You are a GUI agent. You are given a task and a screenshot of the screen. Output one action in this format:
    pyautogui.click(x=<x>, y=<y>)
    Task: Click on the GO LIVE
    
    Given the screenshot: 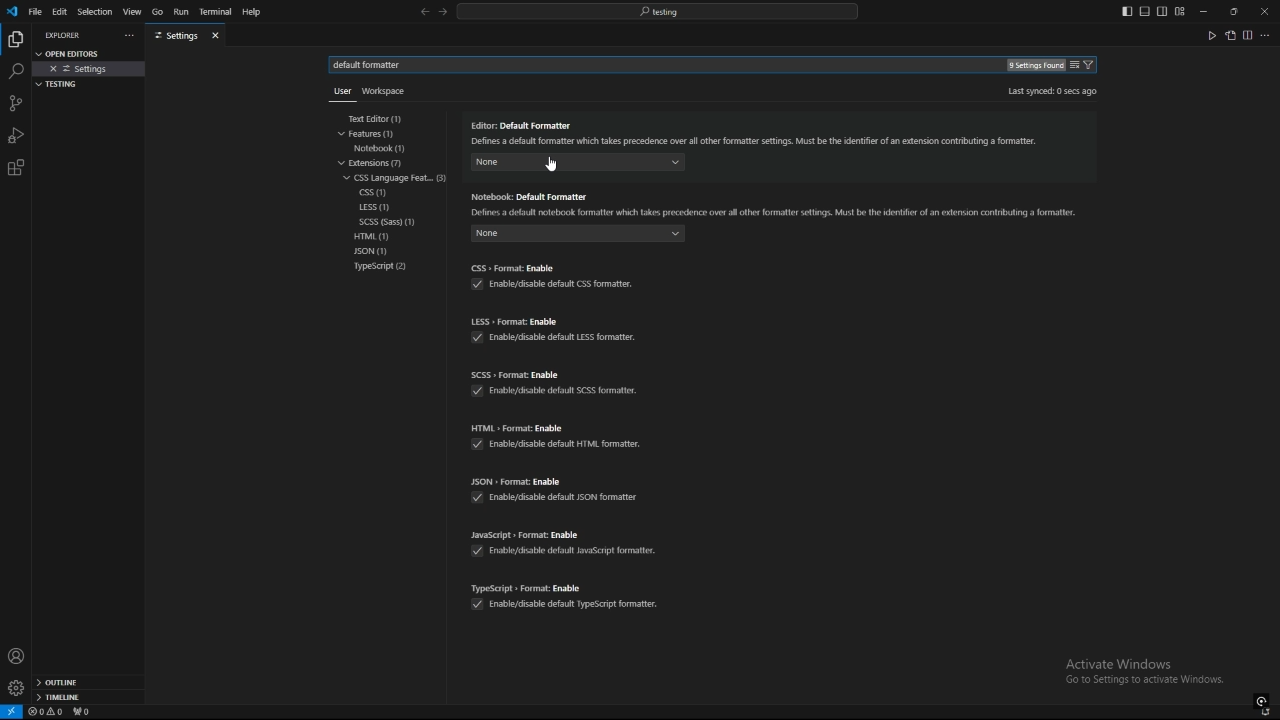 What is the action you would take?
    pyautogui.click(x=1262, y=700)
    